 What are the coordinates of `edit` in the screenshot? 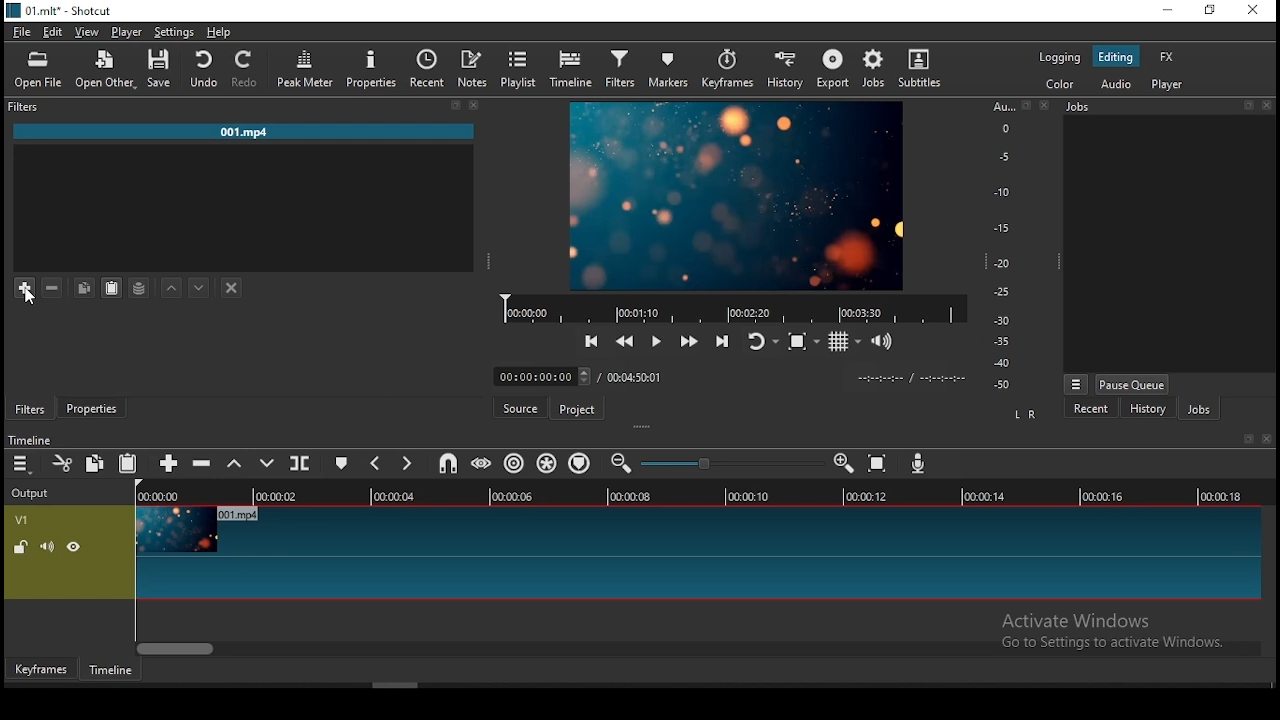 It's located at (55, 32).